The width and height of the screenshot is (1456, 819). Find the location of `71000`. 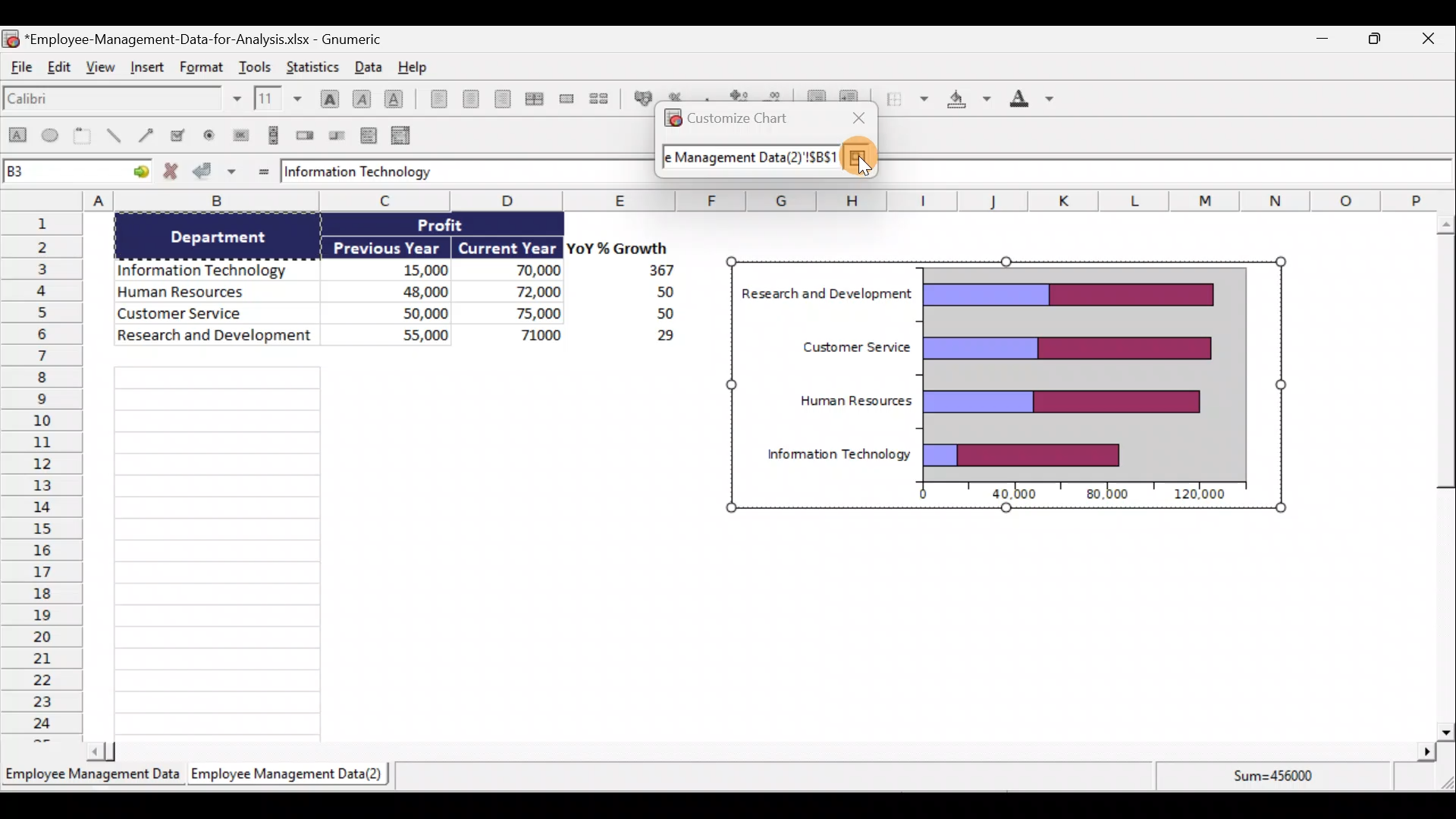

71000 is located at coordinates (535, 334).